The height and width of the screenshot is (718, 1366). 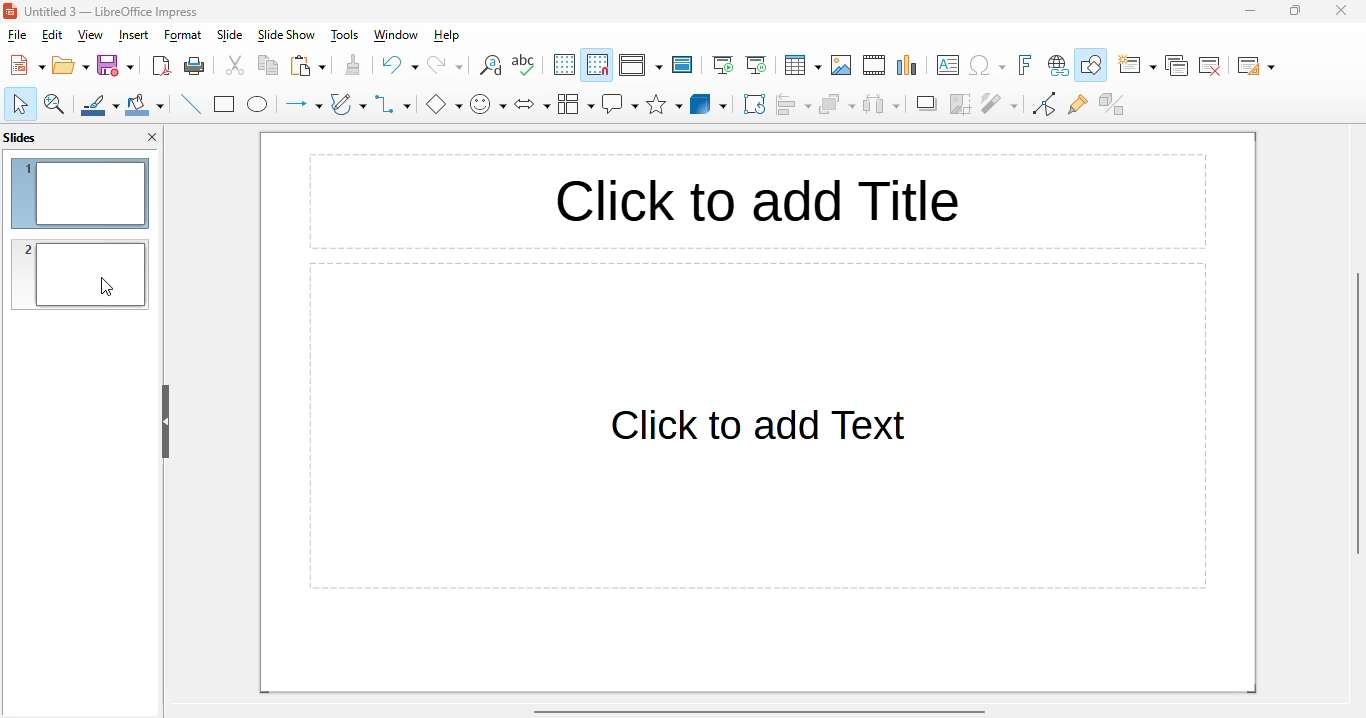 I want to click on fill color, so click(x=145, y=106).